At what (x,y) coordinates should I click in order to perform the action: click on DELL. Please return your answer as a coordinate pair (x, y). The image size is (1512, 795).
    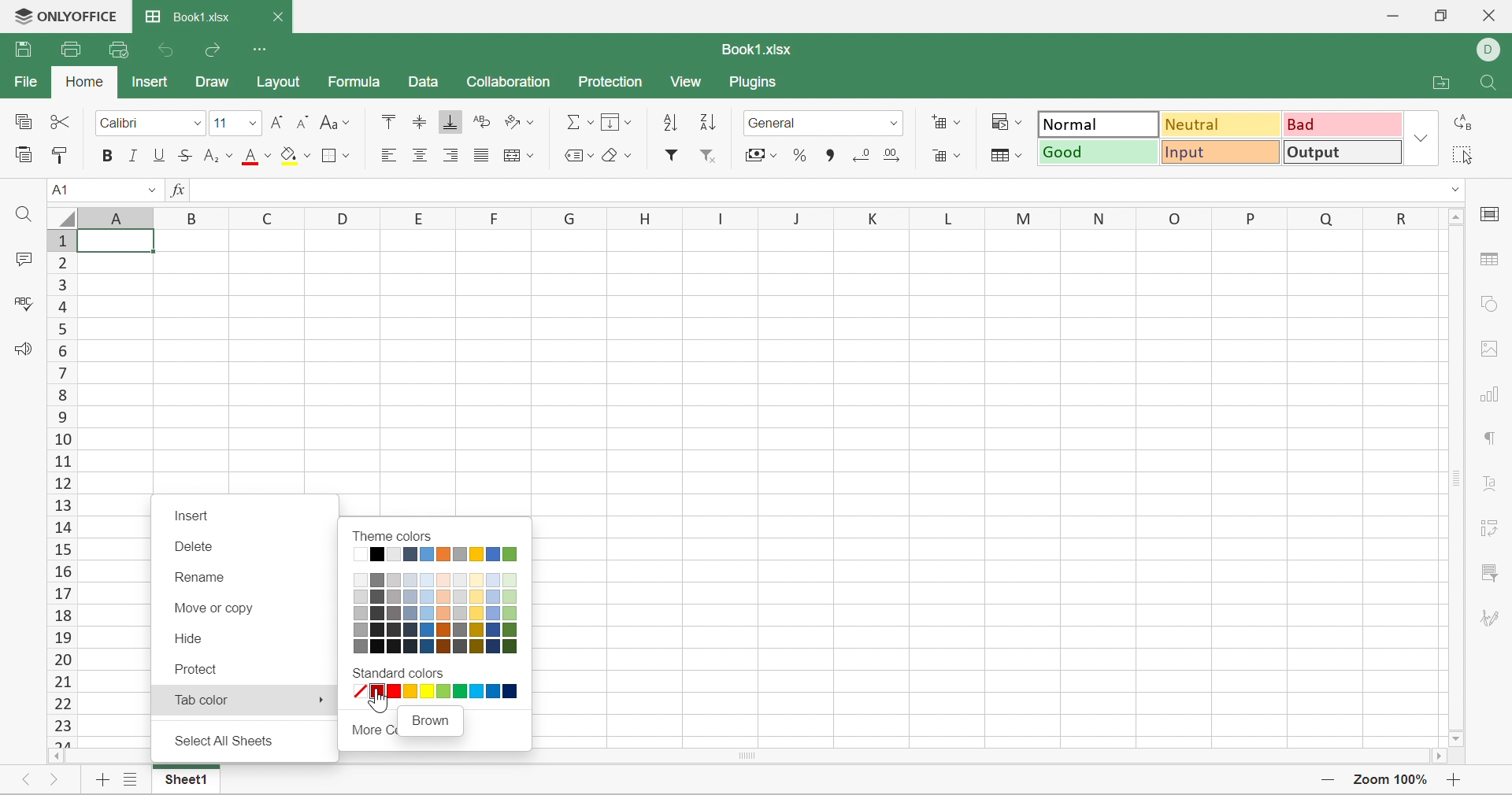
    Looking at the image, I should click on (1492, 50).